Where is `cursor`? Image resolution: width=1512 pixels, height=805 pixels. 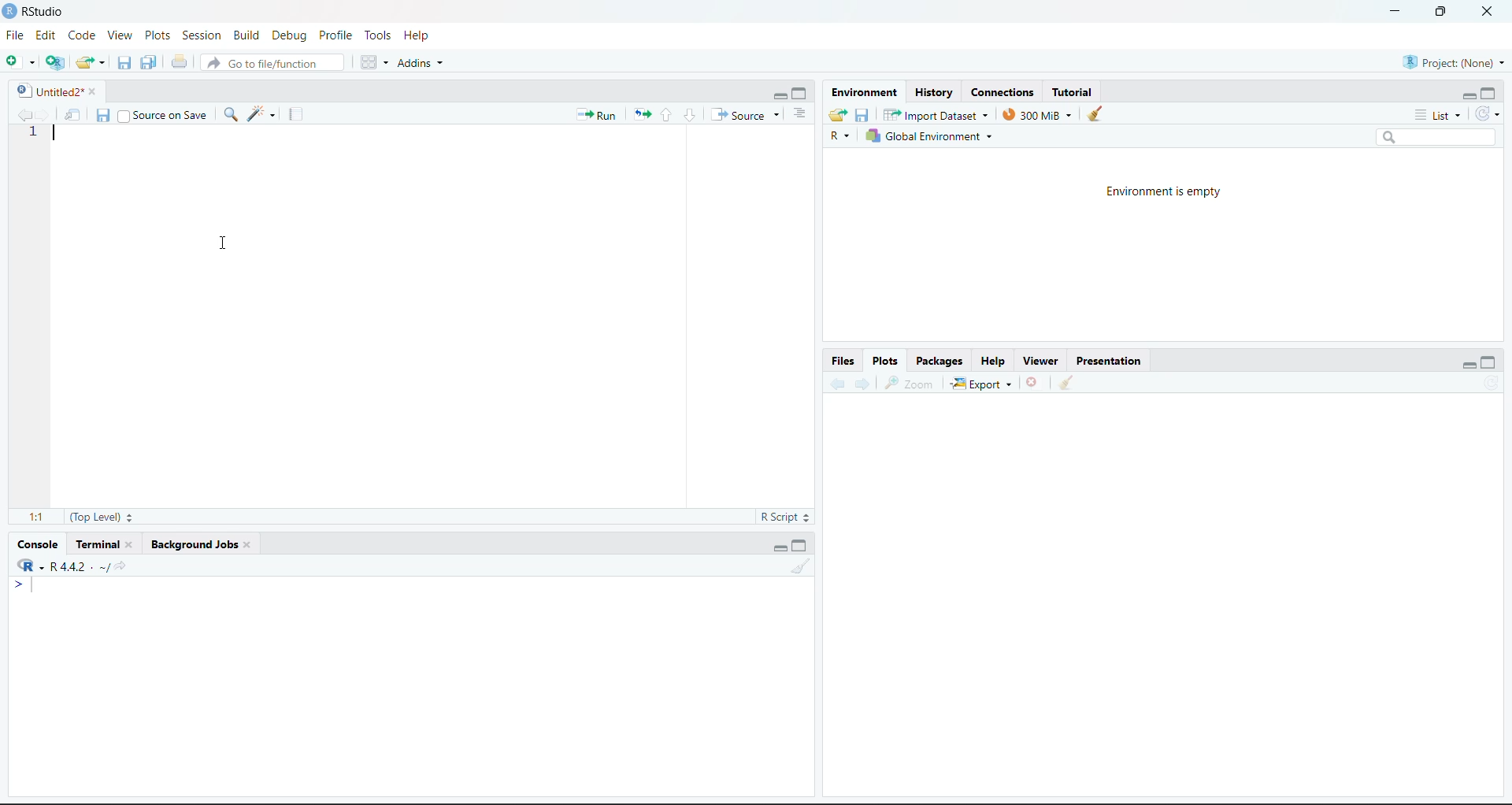 cursor is located at coordinates (226, 239).